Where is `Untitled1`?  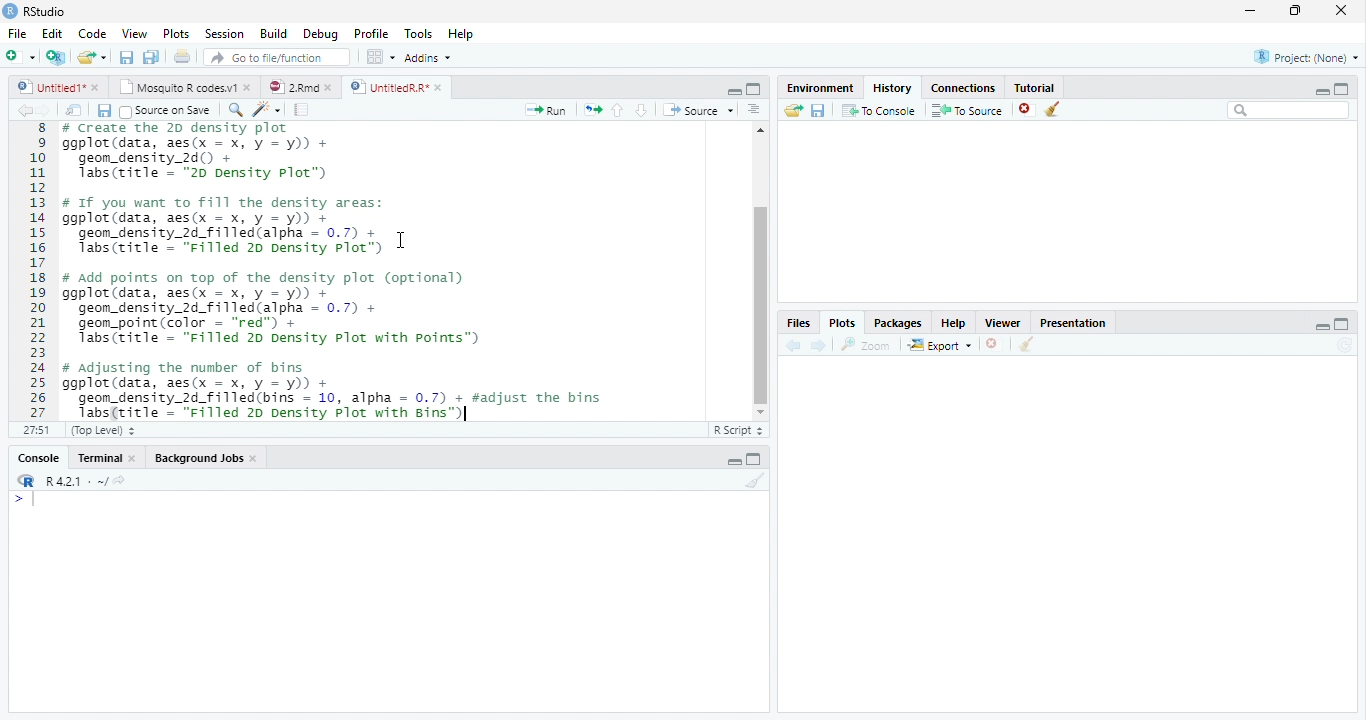 Untitled1 is located at coordinates (46, 87).